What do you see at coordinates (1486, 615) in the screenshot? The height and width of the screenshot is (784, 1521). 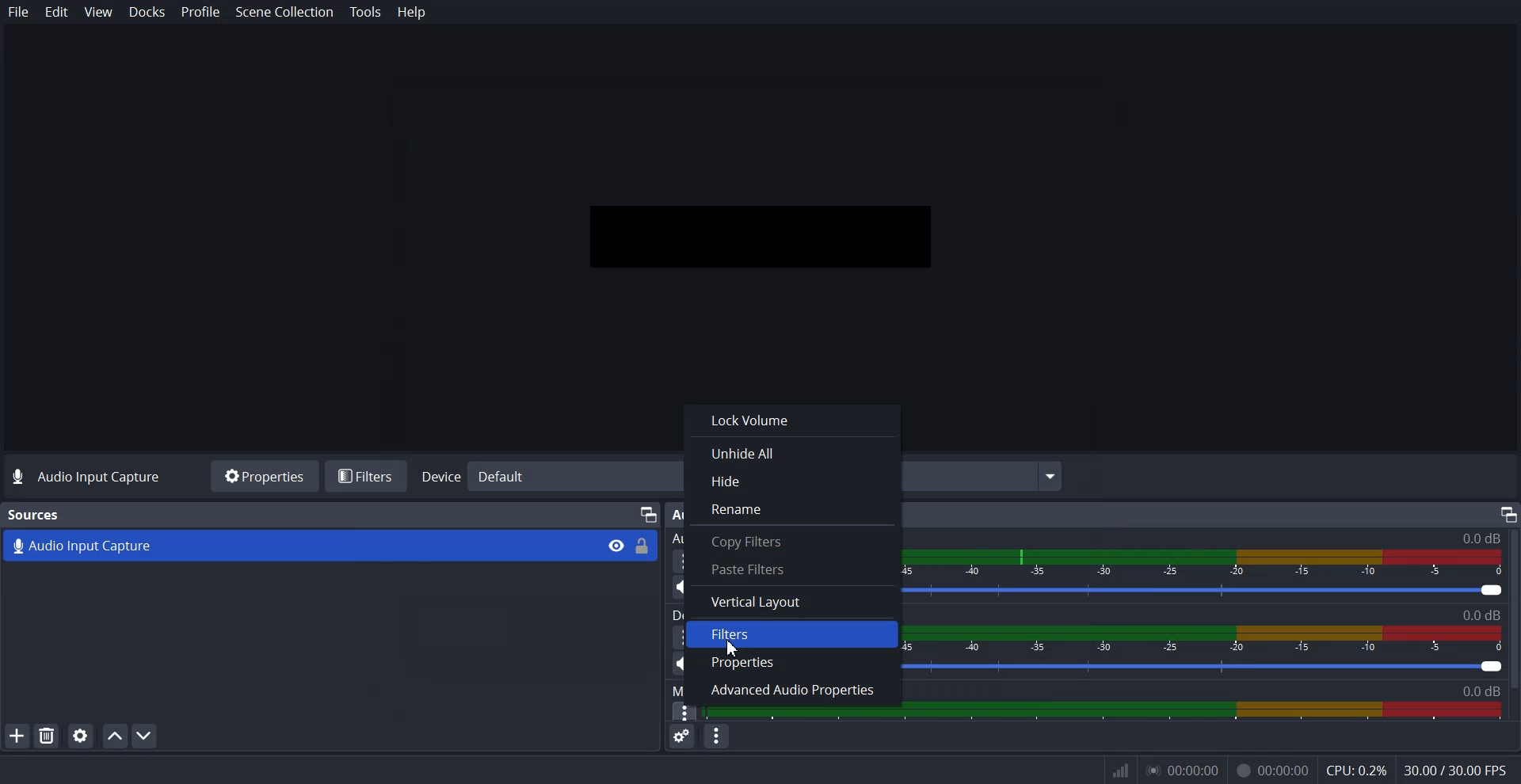 I see `Text` at bounding box center [1486, 615].